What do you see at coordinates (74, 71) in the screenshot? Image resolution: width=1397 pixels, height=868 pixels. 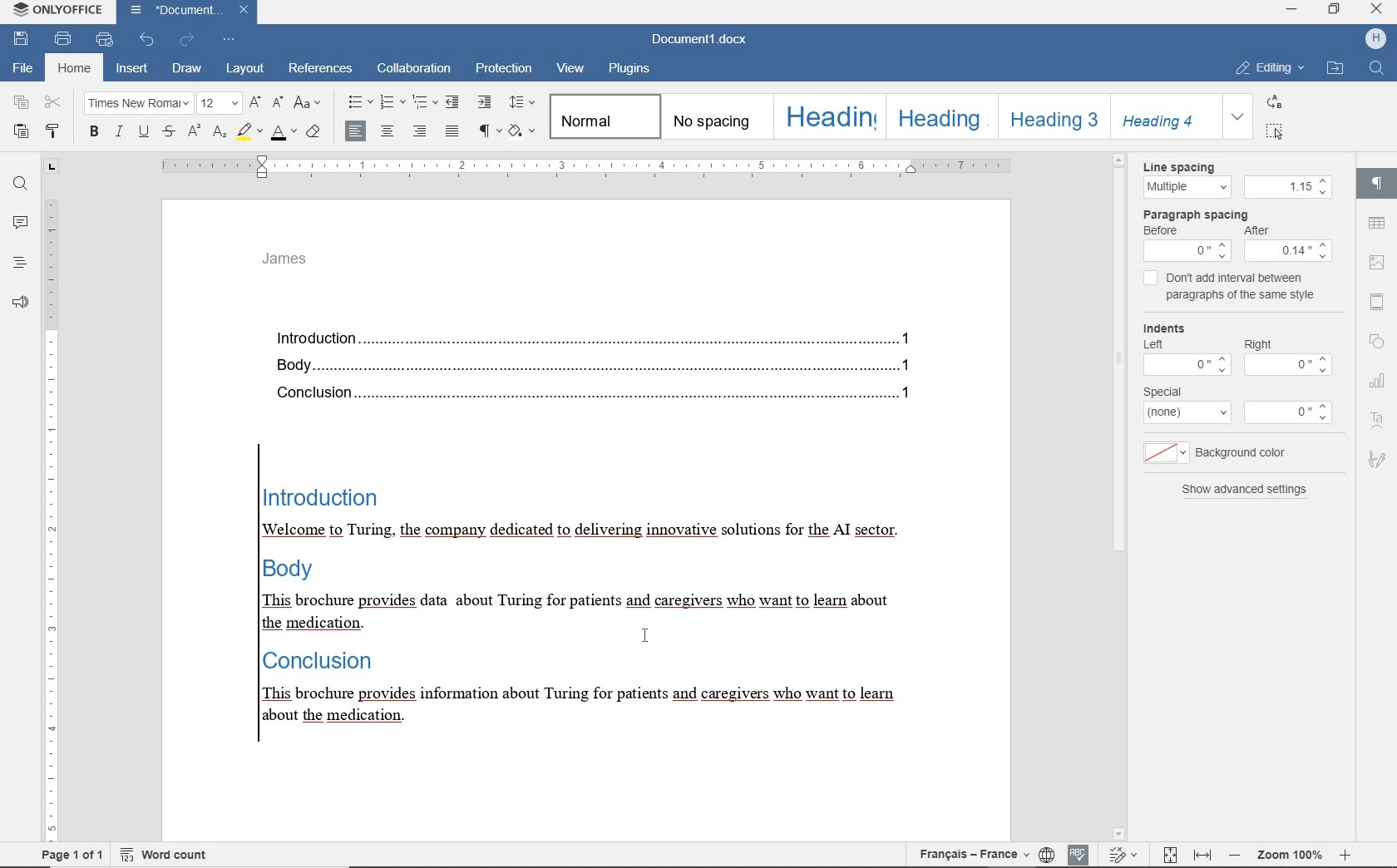 I see `home` at bounding box center [74, 71].